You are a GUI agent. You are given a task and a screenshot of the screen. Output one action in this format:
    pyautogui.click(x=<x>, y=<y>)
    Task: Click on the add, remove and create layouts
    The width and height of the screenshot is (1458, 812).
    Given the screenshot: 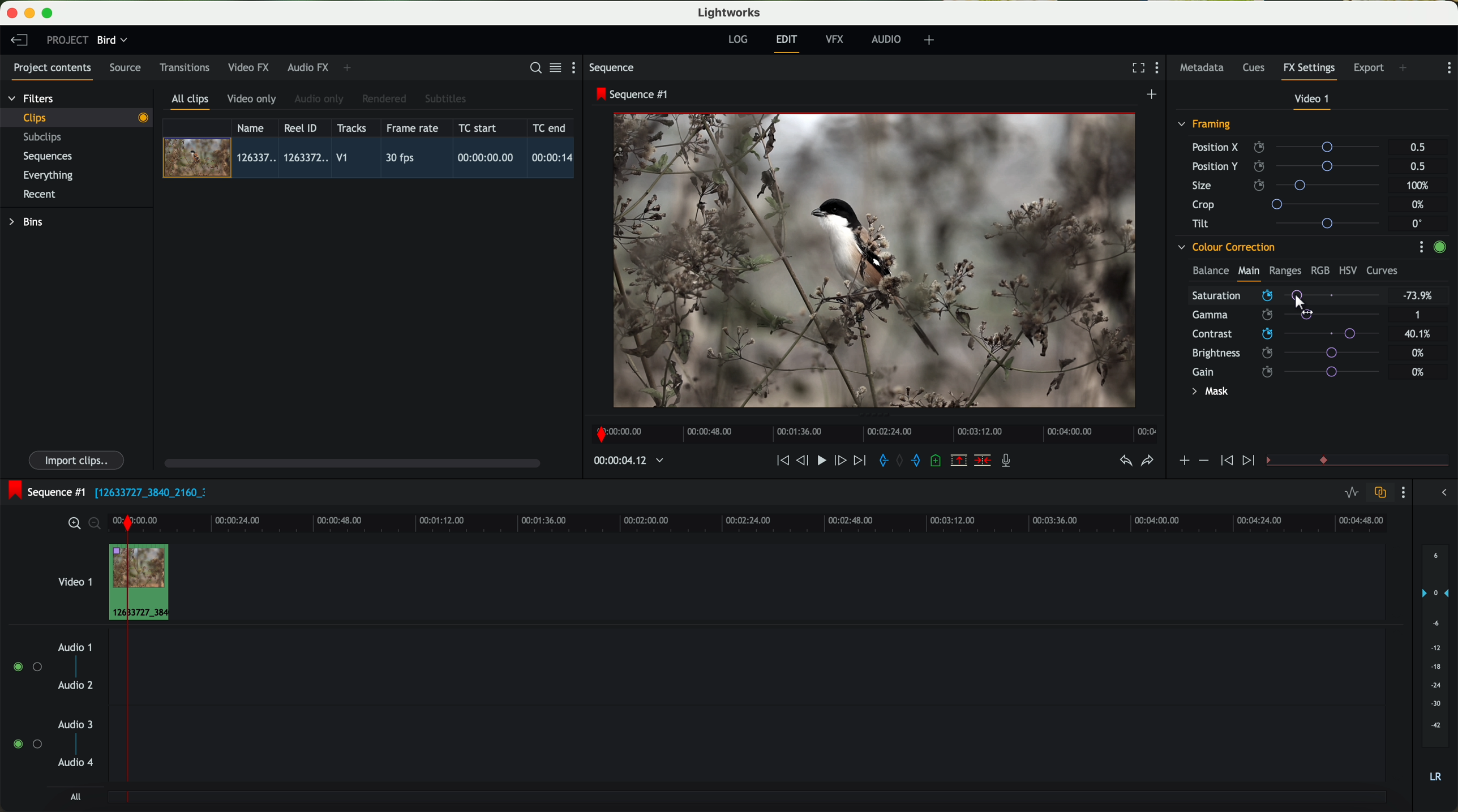 What is the action you would take?
    pyautogui.click(x=931, y=40)
    